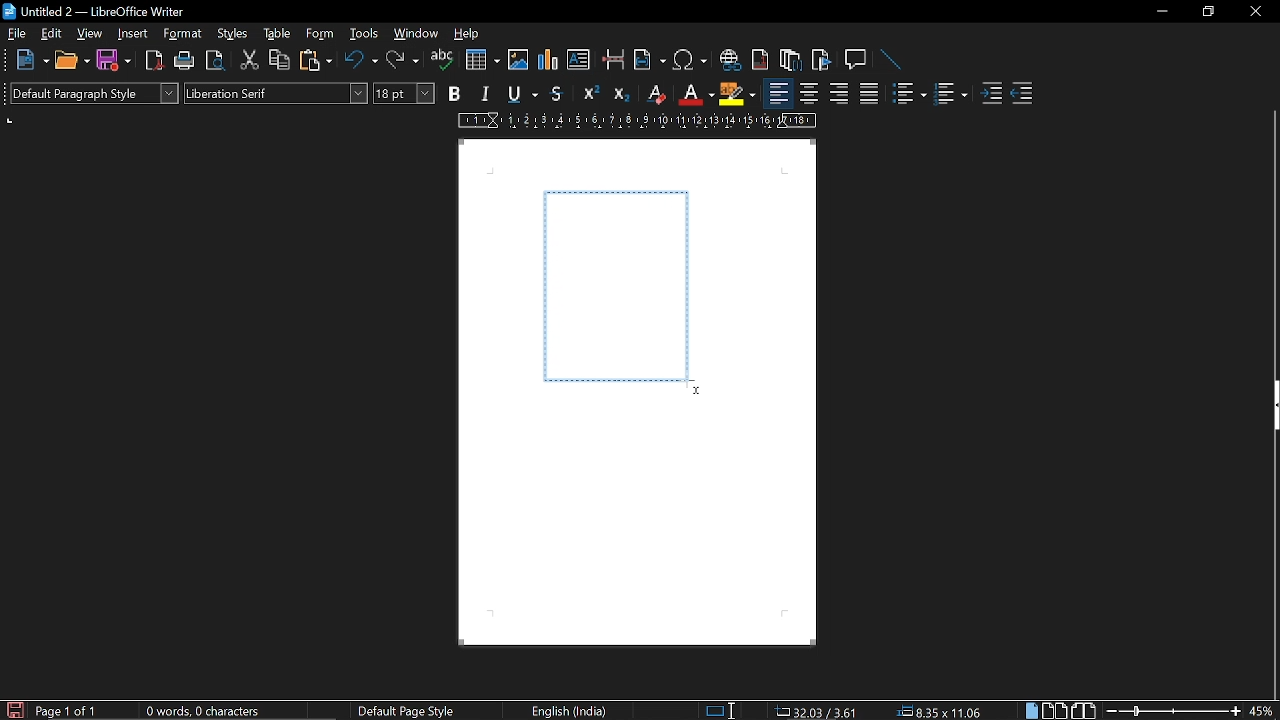 The height and width of the screenshot is (720, 1280). What do you see at coordinates (185, 35) in the screenshot?
I see `format` at bounding box center [185, 35].